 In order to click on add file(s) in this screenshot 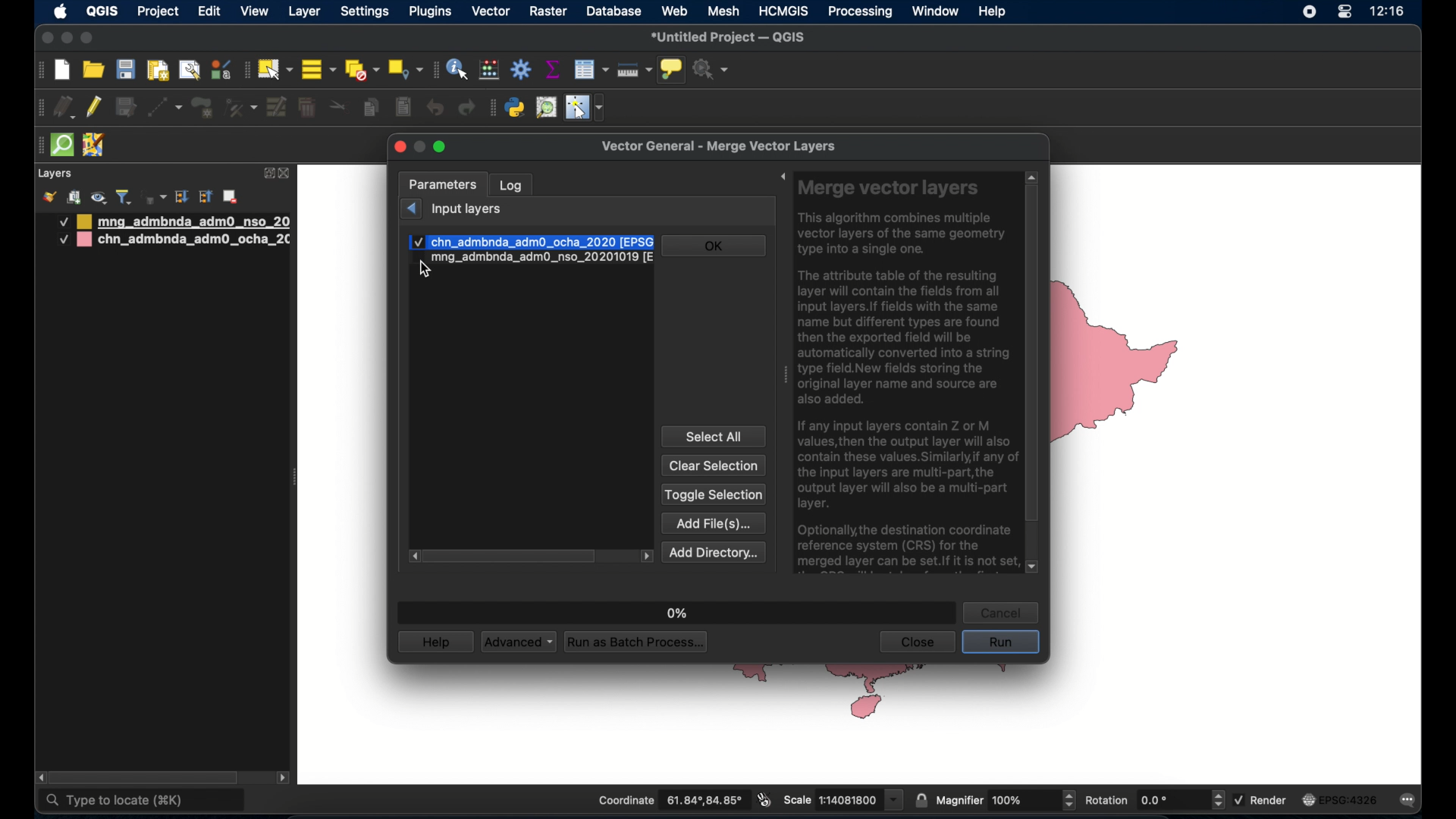, I will do `click(714, 522)`.